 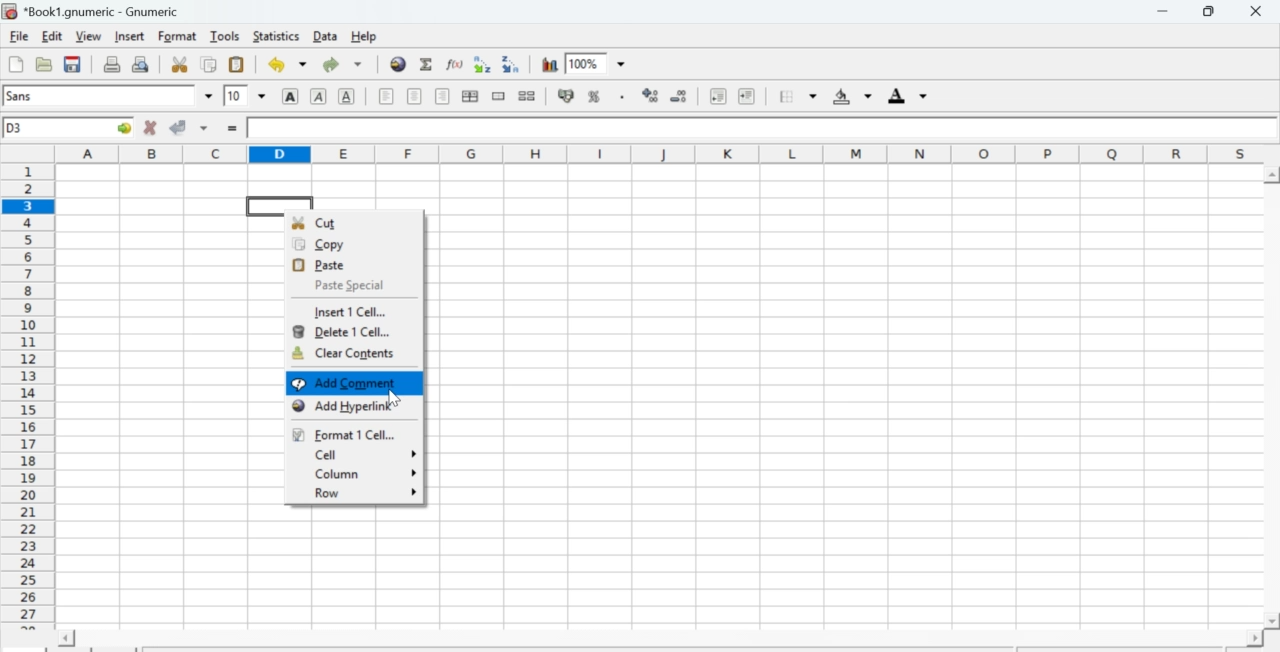 What do you see at coordinates (853, 95) in the screenshot?
I see `Background` at bounding box center [853, 95].